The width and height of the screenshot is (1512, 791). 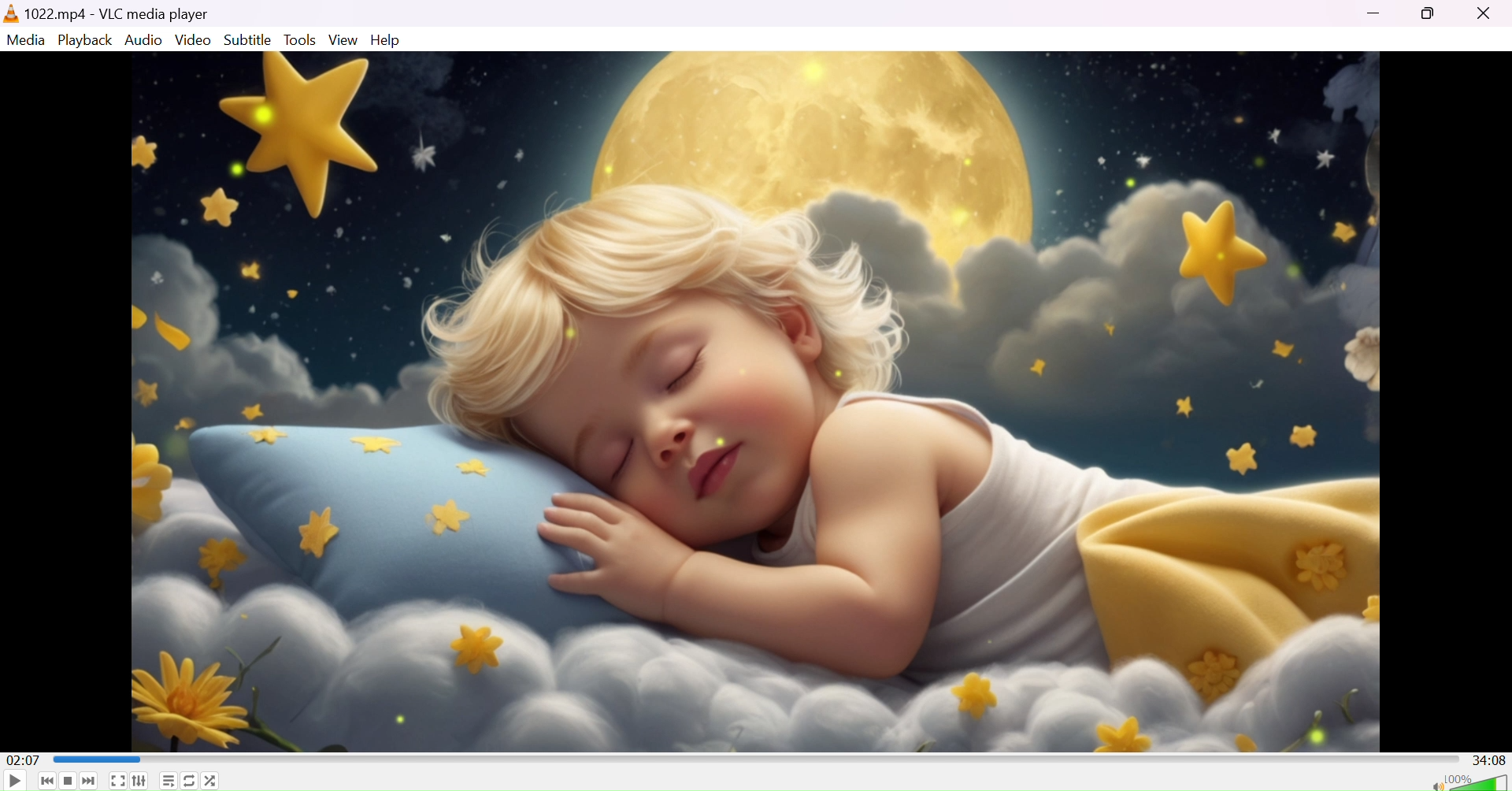 What do you see at coordinates (1488, 760) in the screenshot?
I see `34:08` at bounding box center [1488, 760].